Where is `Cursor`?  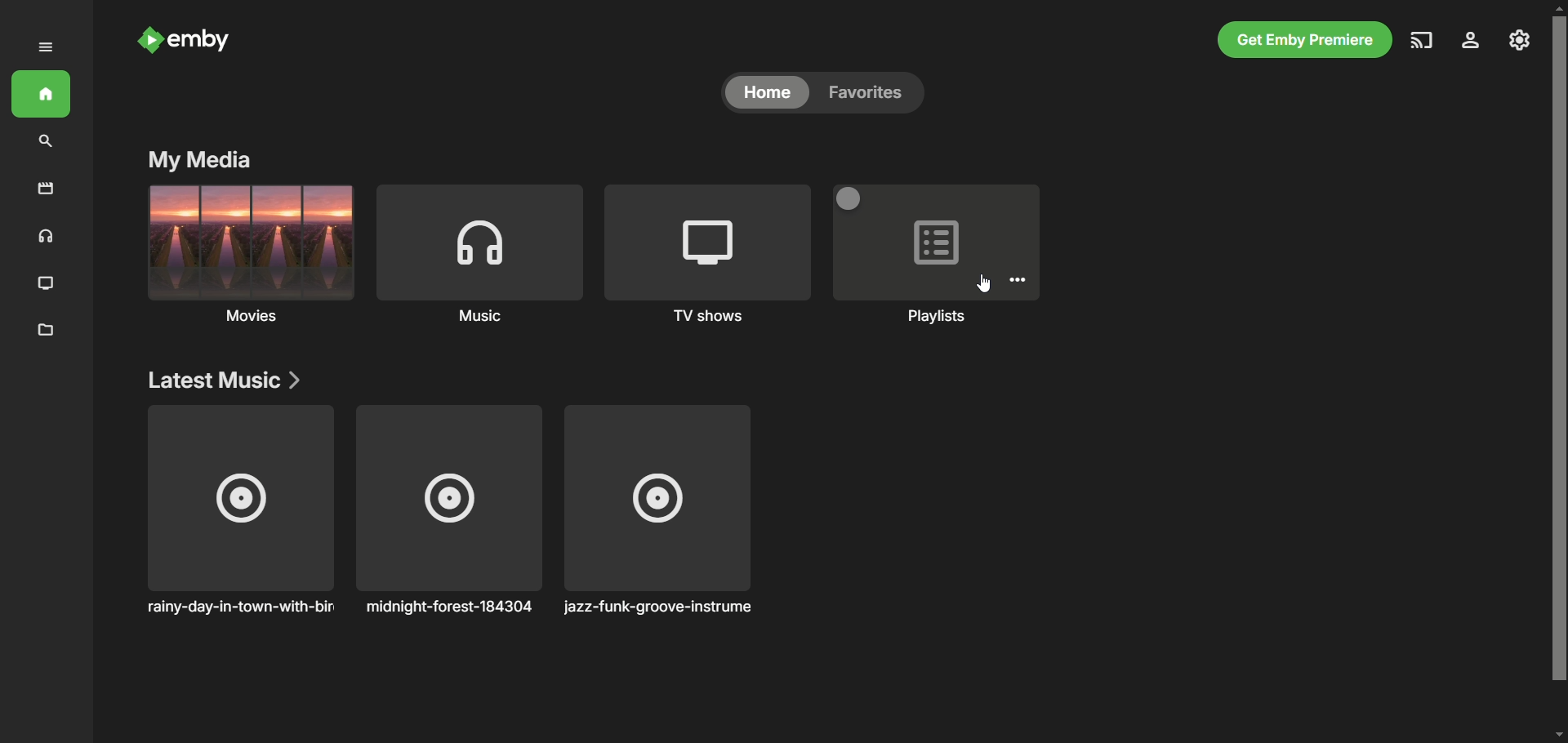 Cursor is located at coordinates (983, 283).